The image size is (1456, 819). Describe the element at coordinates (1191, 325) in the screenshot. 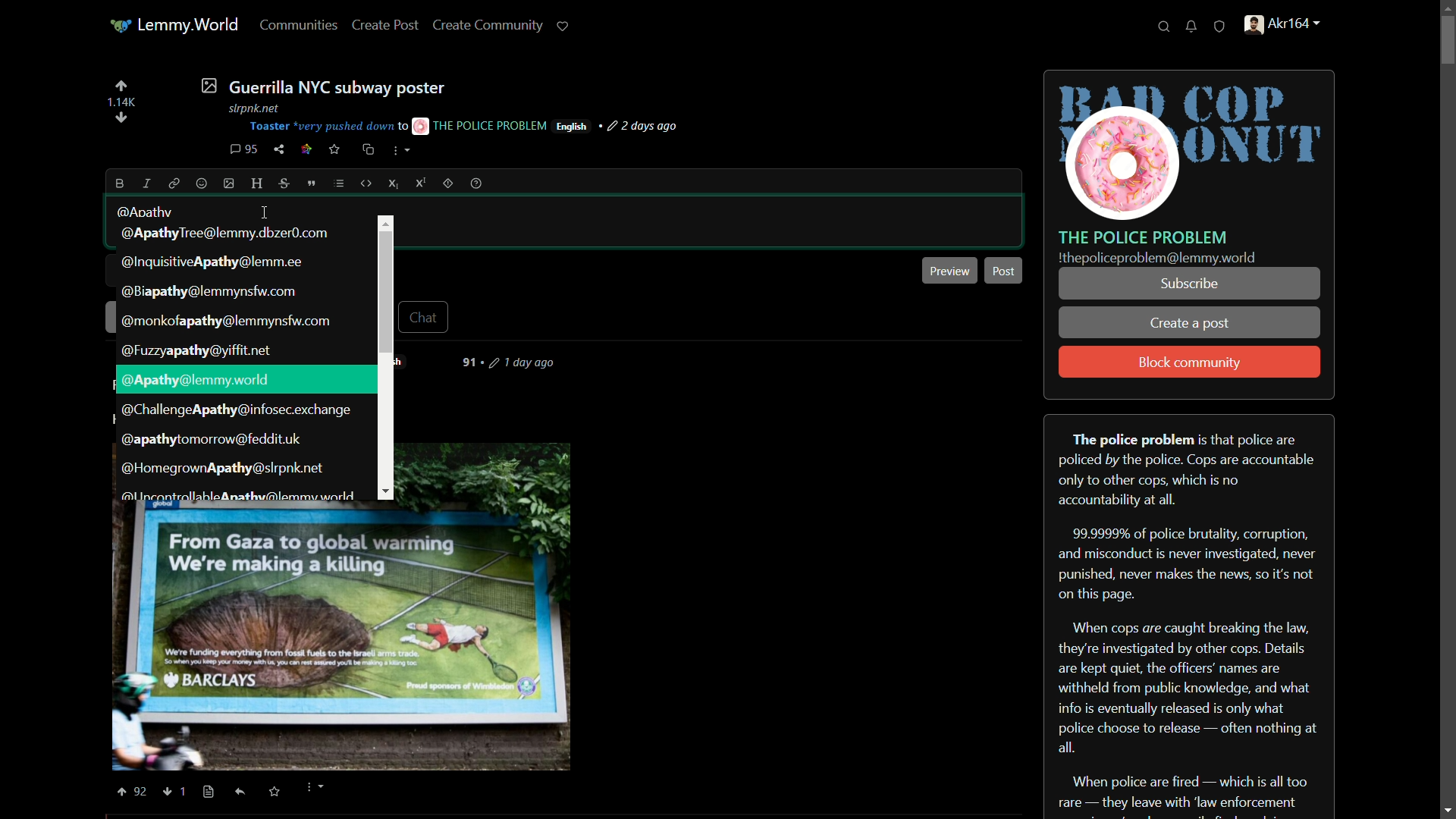

I see `create a post` at that location.